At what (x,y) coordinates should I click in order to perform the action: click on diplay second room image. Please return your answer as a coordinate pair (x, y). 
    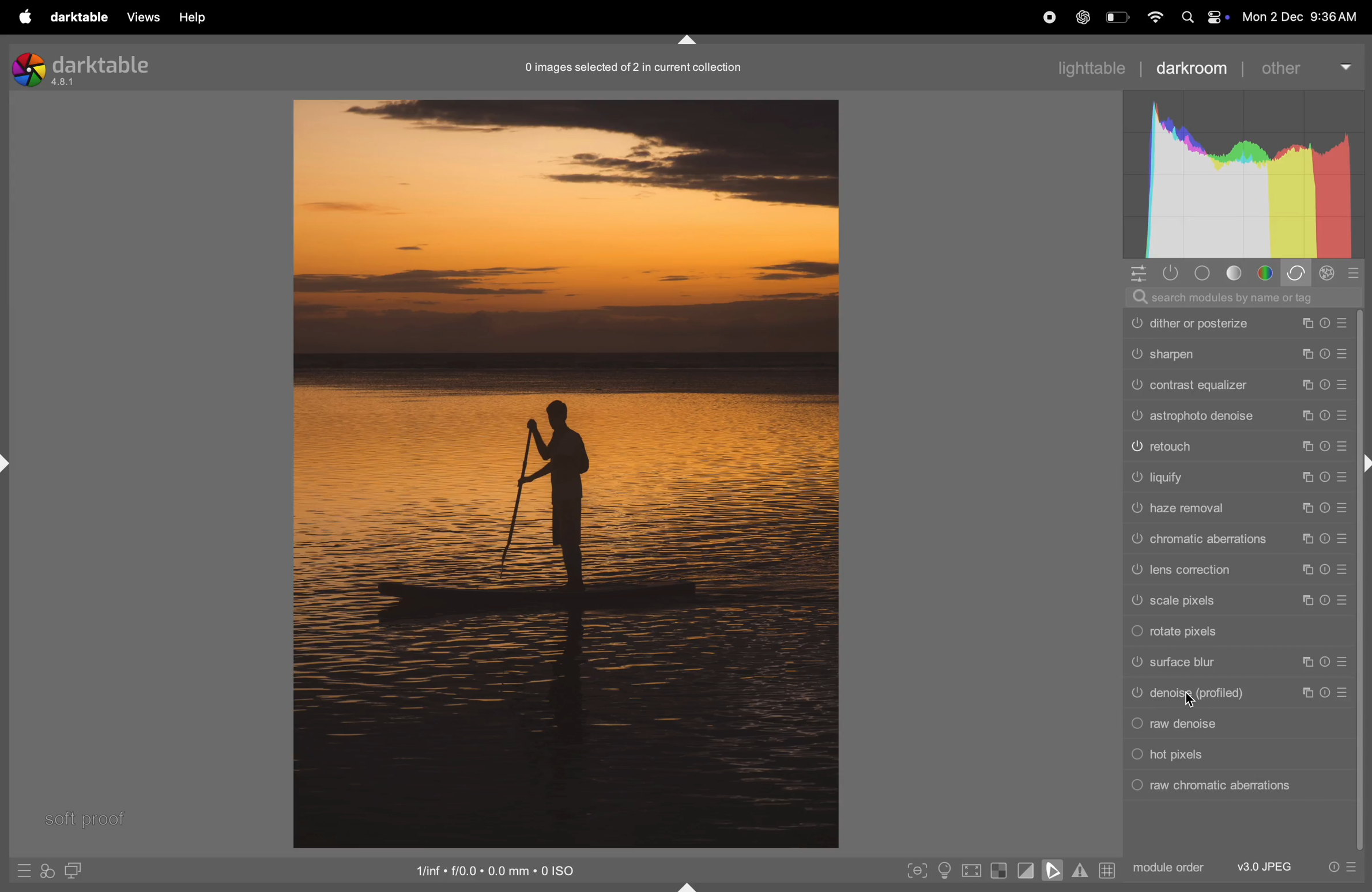
    Looking at the image, I should click on (78, 872).